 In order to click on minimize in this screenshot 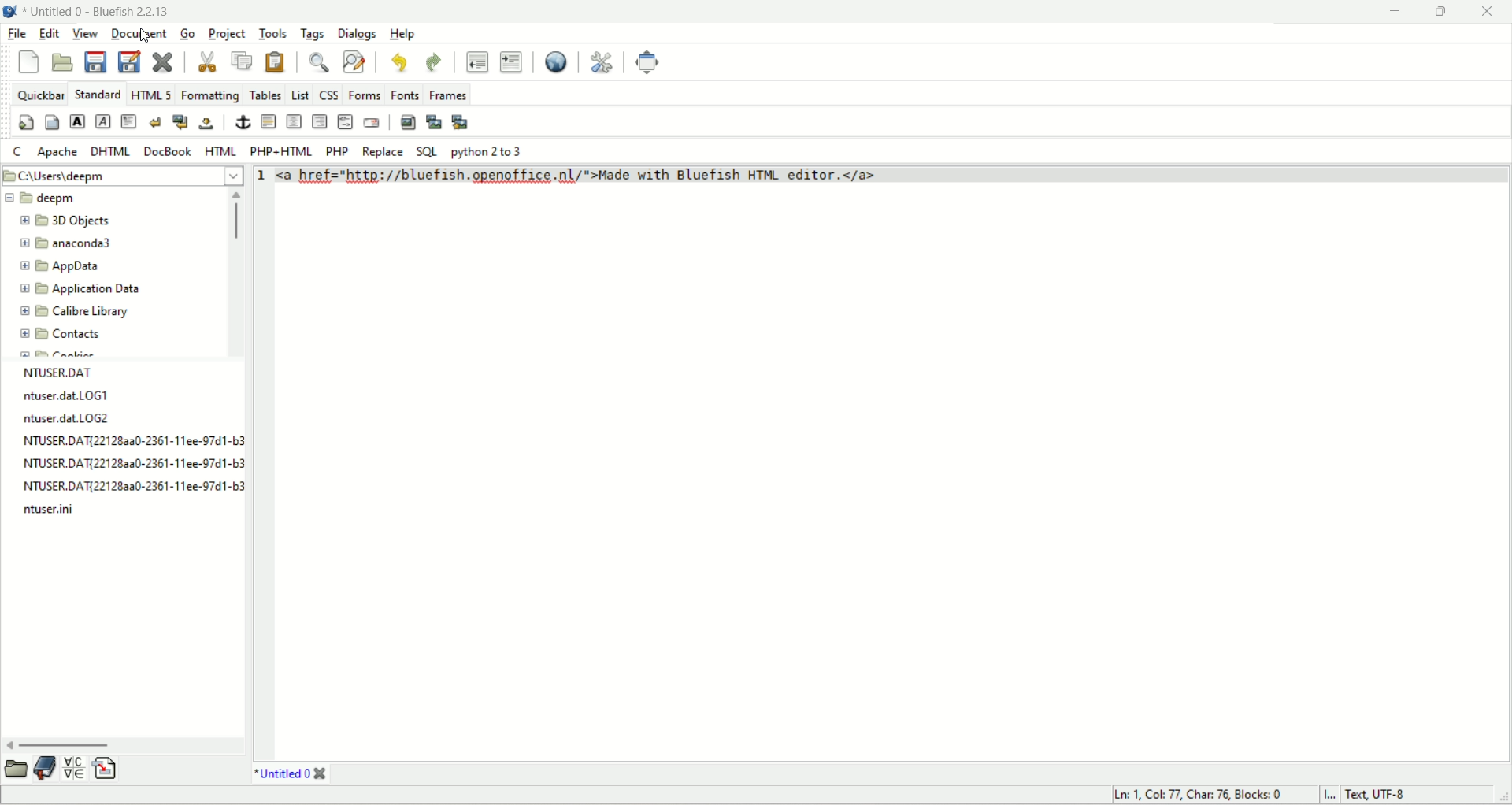, I will do `click(1395, 12)`.